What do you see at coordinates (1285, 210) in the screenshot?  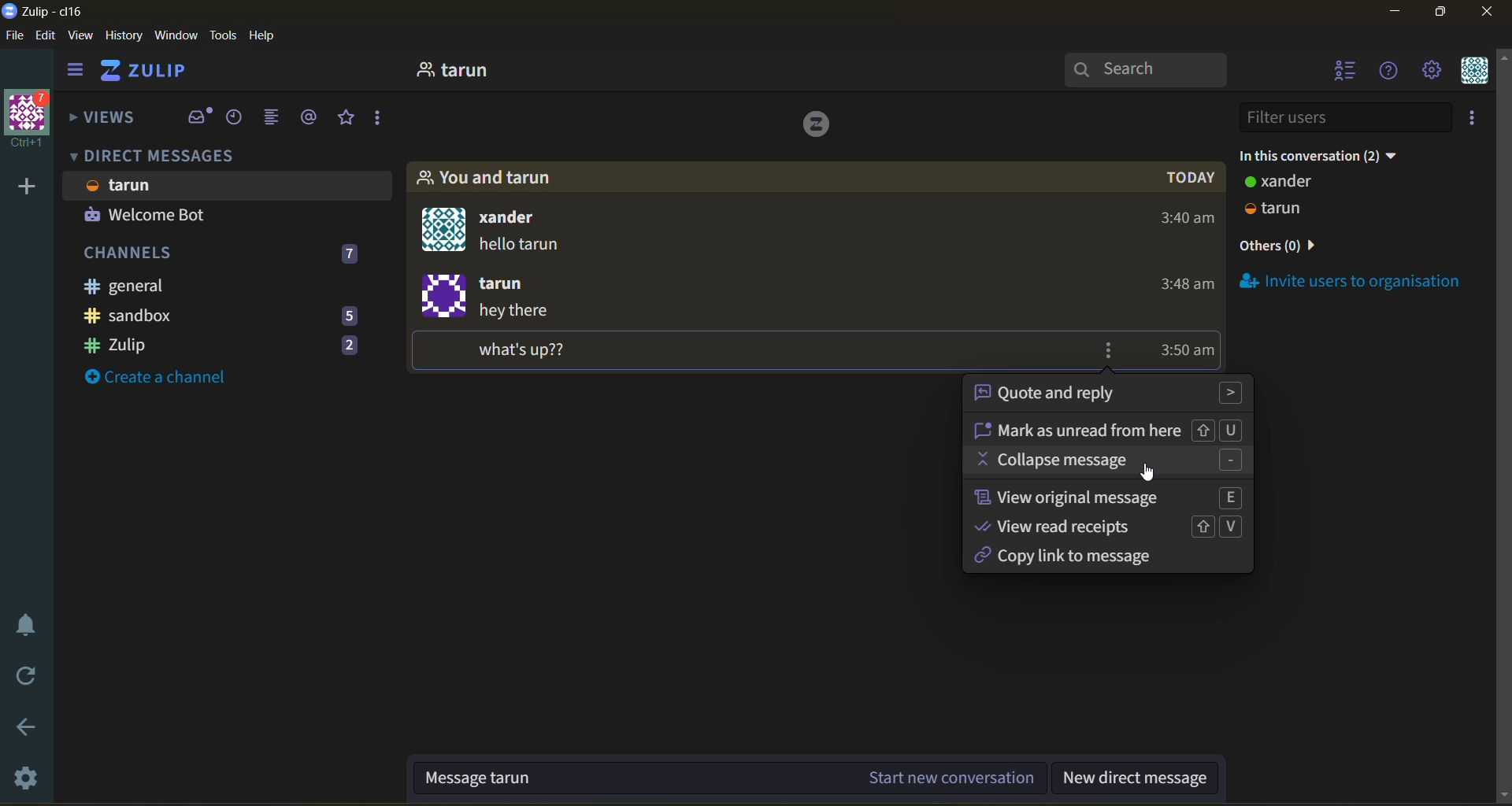 I see `user 2` at bounding box center [1285, 210].